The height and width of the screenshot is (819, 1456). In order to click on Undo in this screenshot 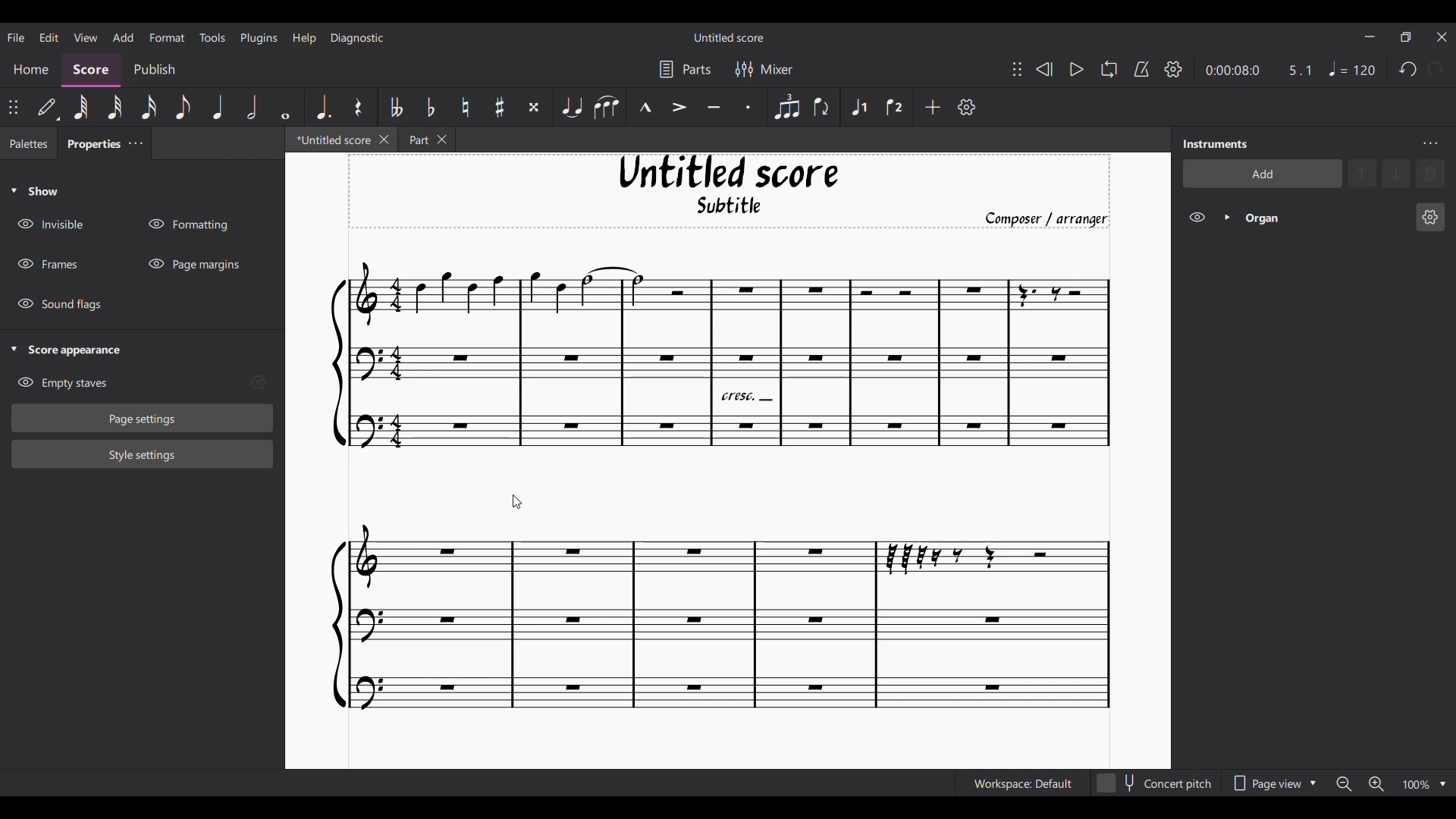, I will do `click(1408, 70)`.